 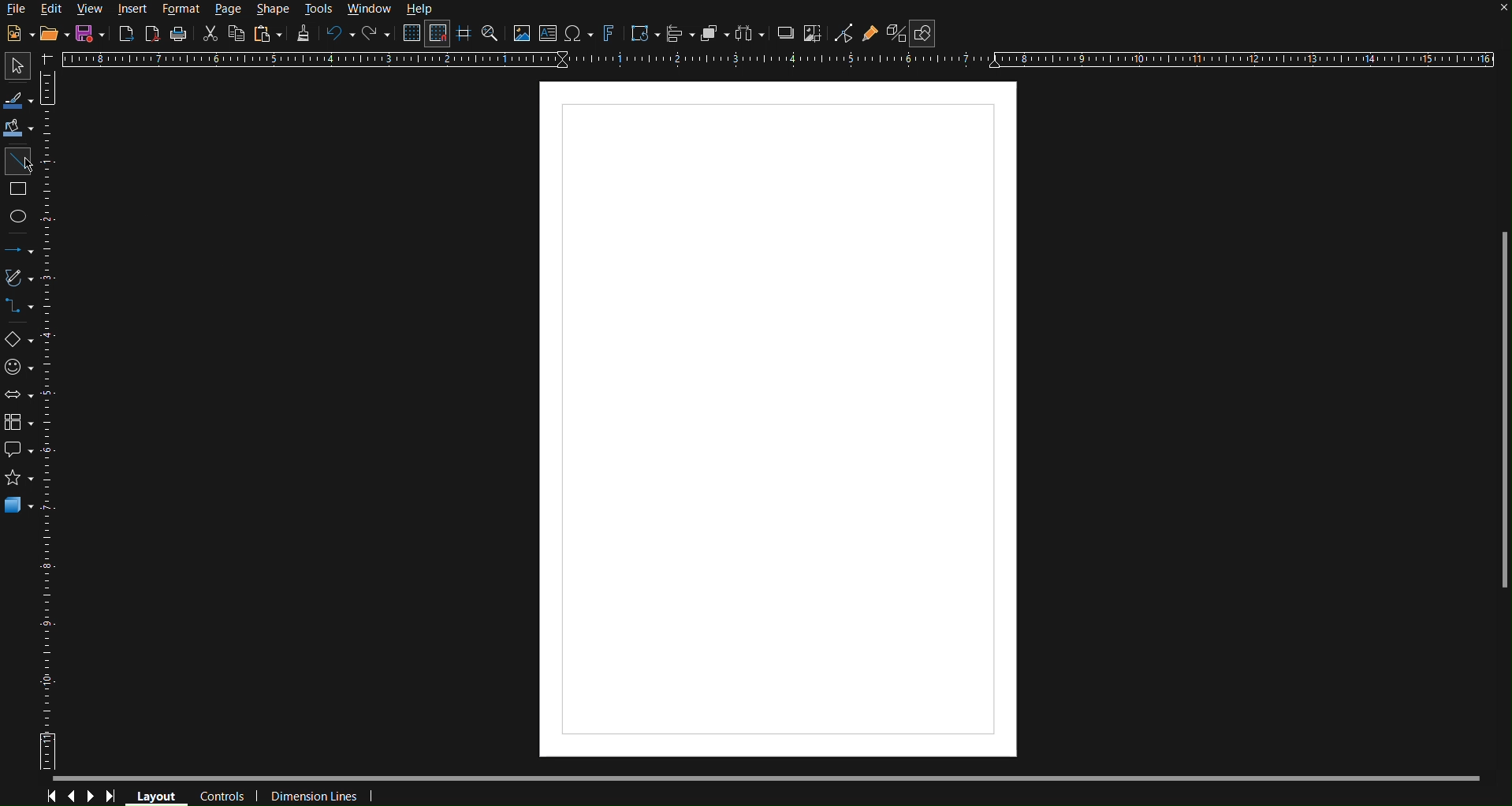 What do you see at coordinates (17, 11) in the screenshot?
I see `File` at bounding box center [17, 11].